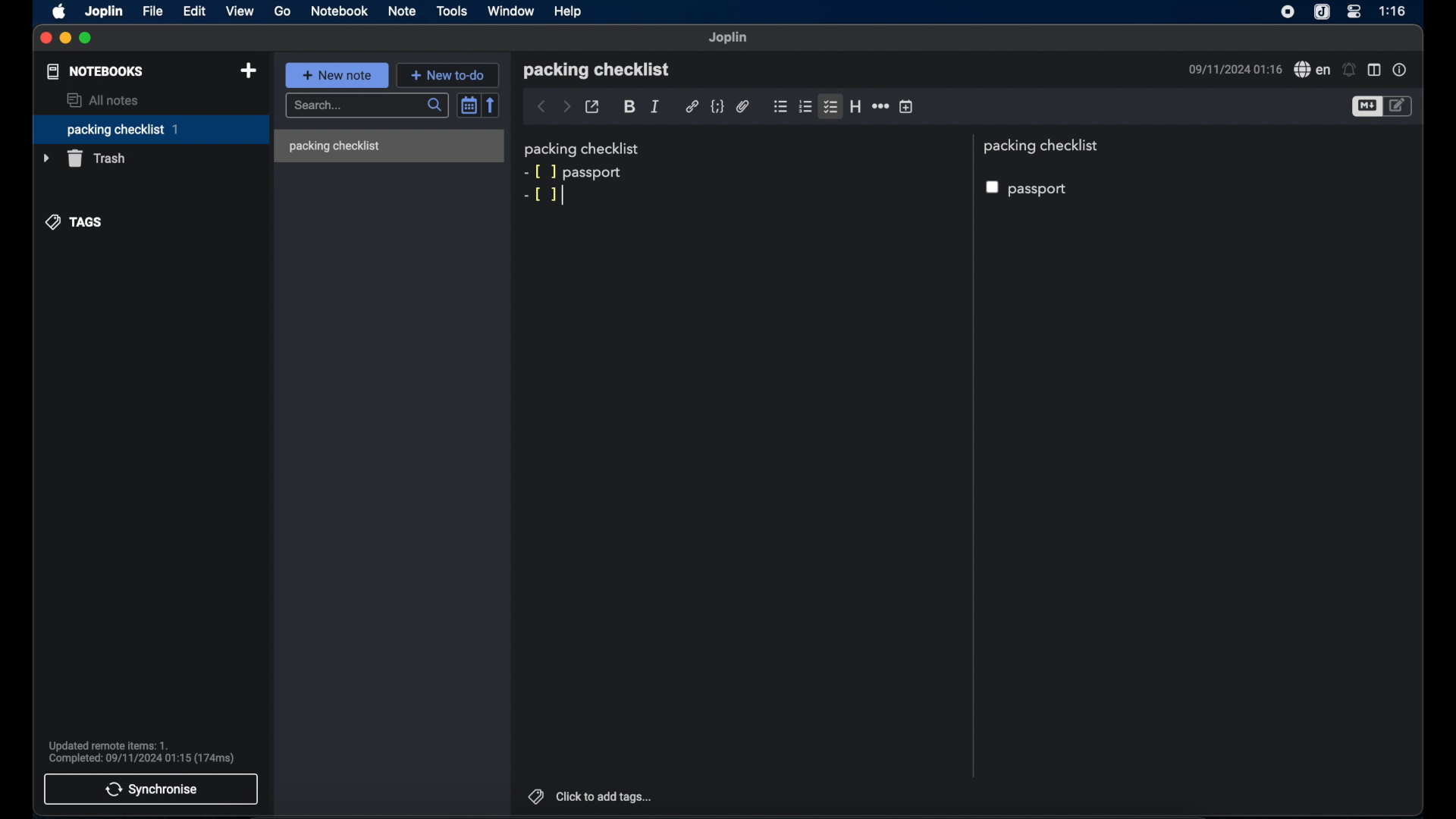 The height and width of the screenshot is (819, 1456). I want to click on packing checklist, so click(150, 130).